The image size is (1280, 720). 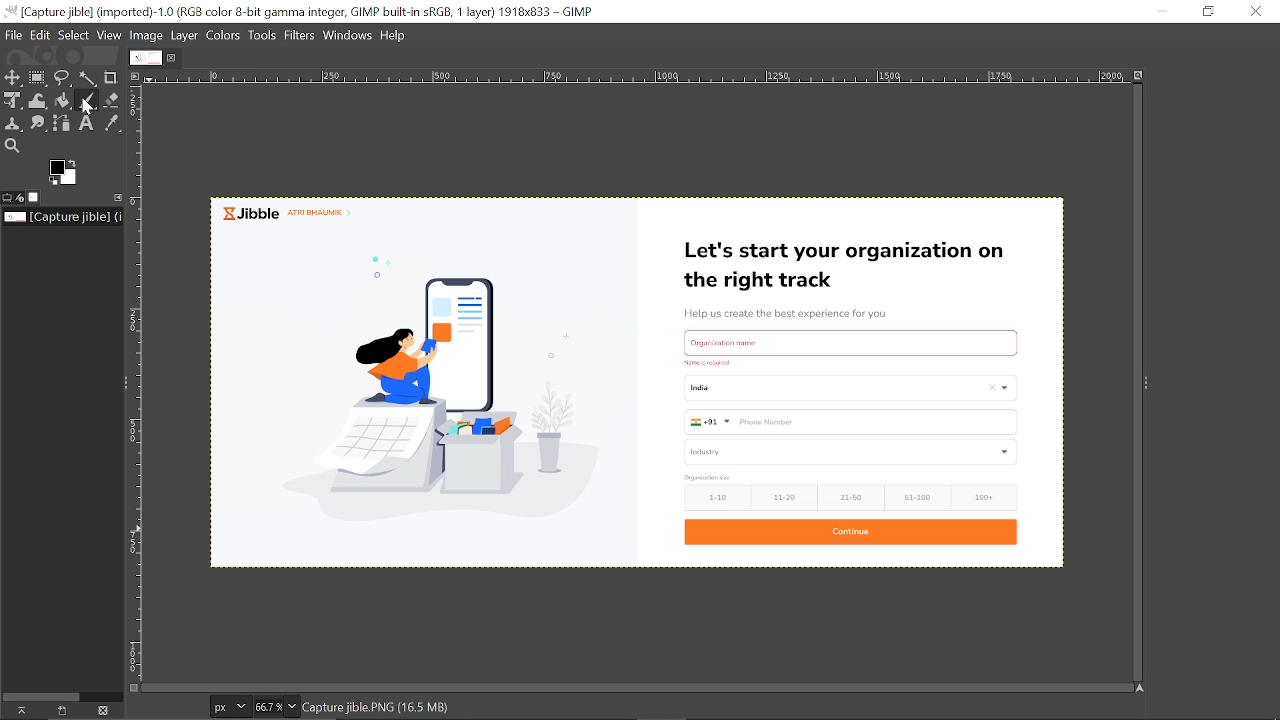 What do you see at coordinates (230, 705) in the screenshot?
I see `Pixel` at bounding box center [230, 705].